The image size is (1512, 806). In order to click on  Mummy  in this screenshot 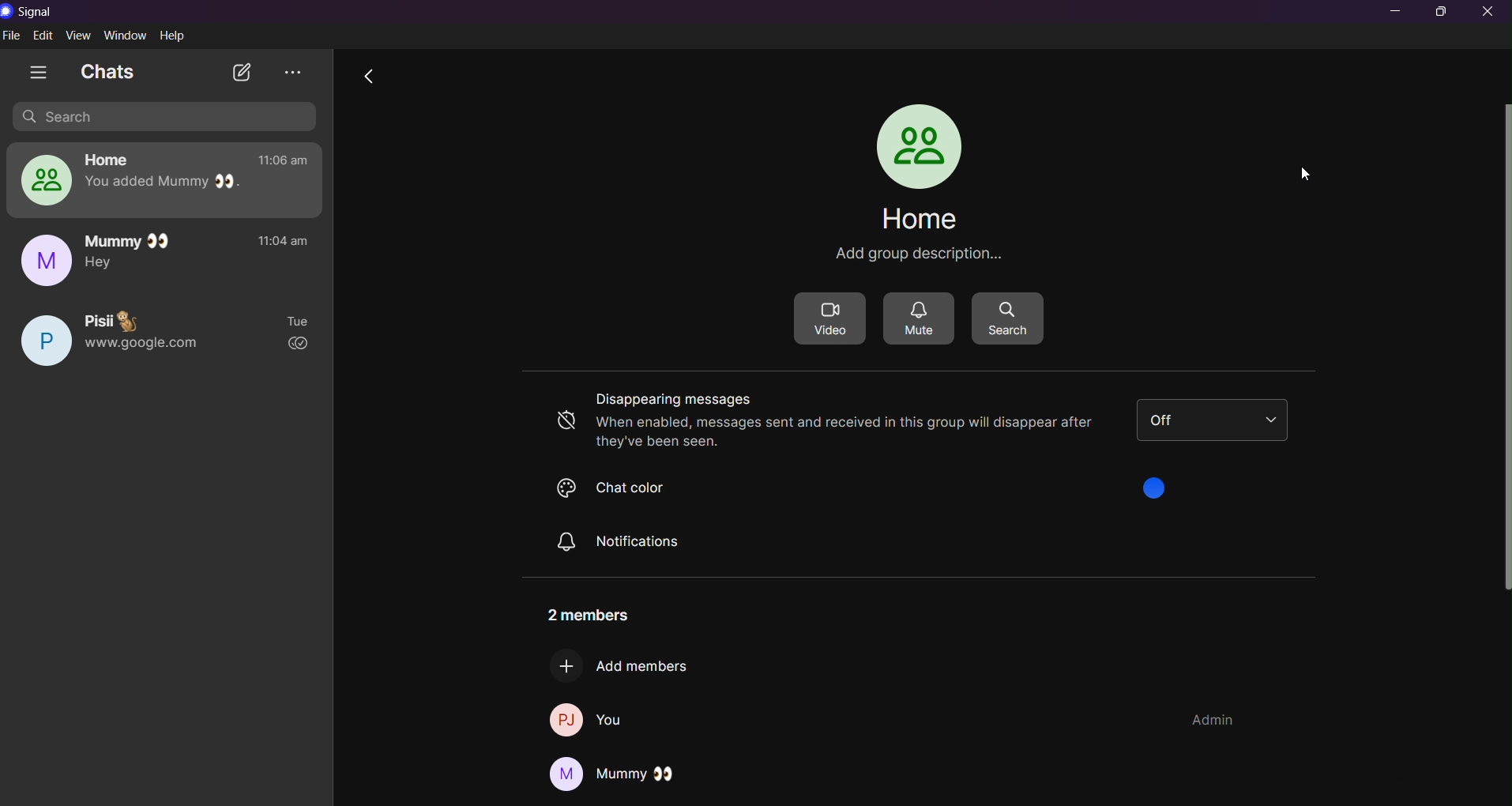, I will do `click(637, 773)`.